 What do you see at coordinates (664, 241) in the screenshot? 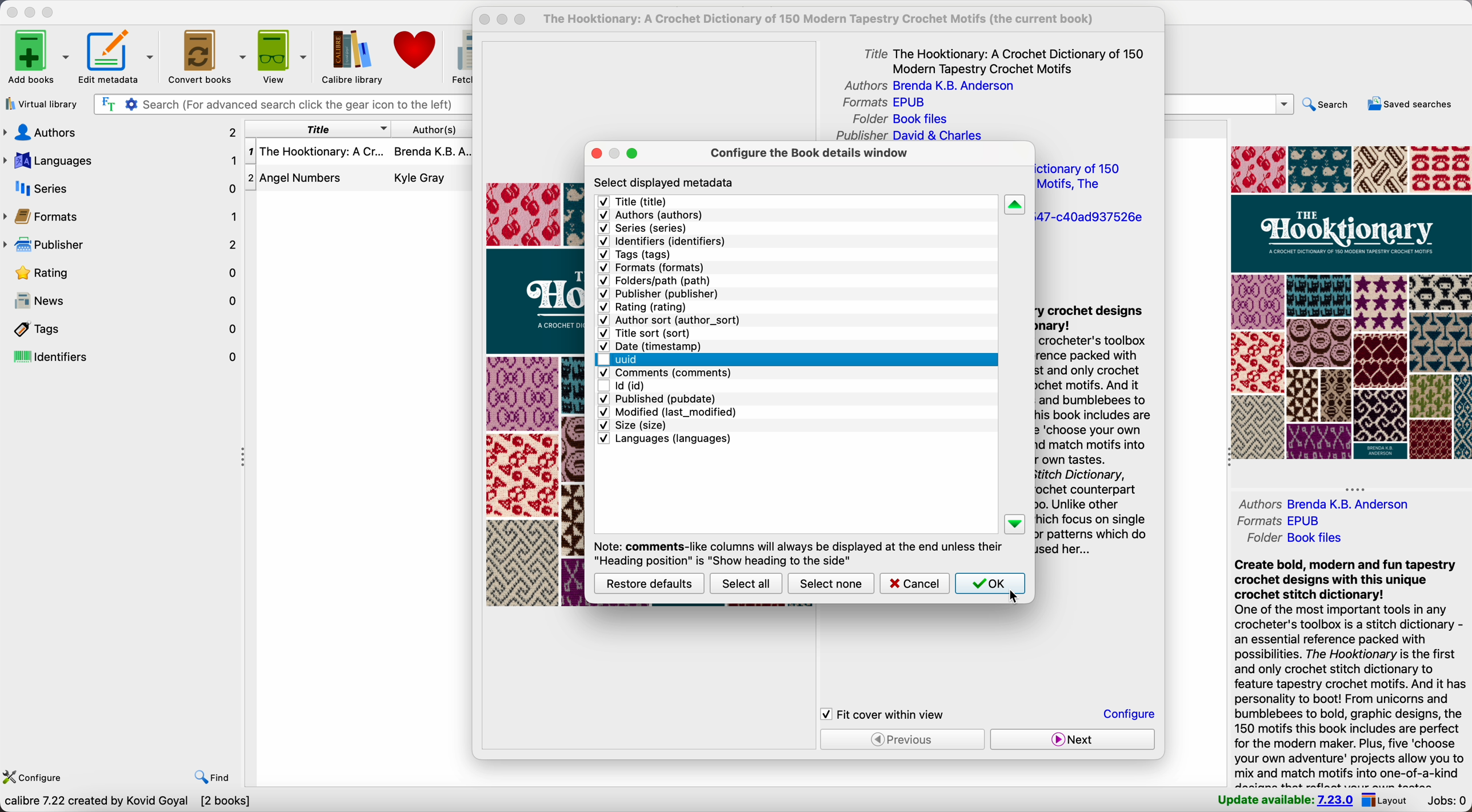
I see `identifiers` at bounding box center [664, 241].